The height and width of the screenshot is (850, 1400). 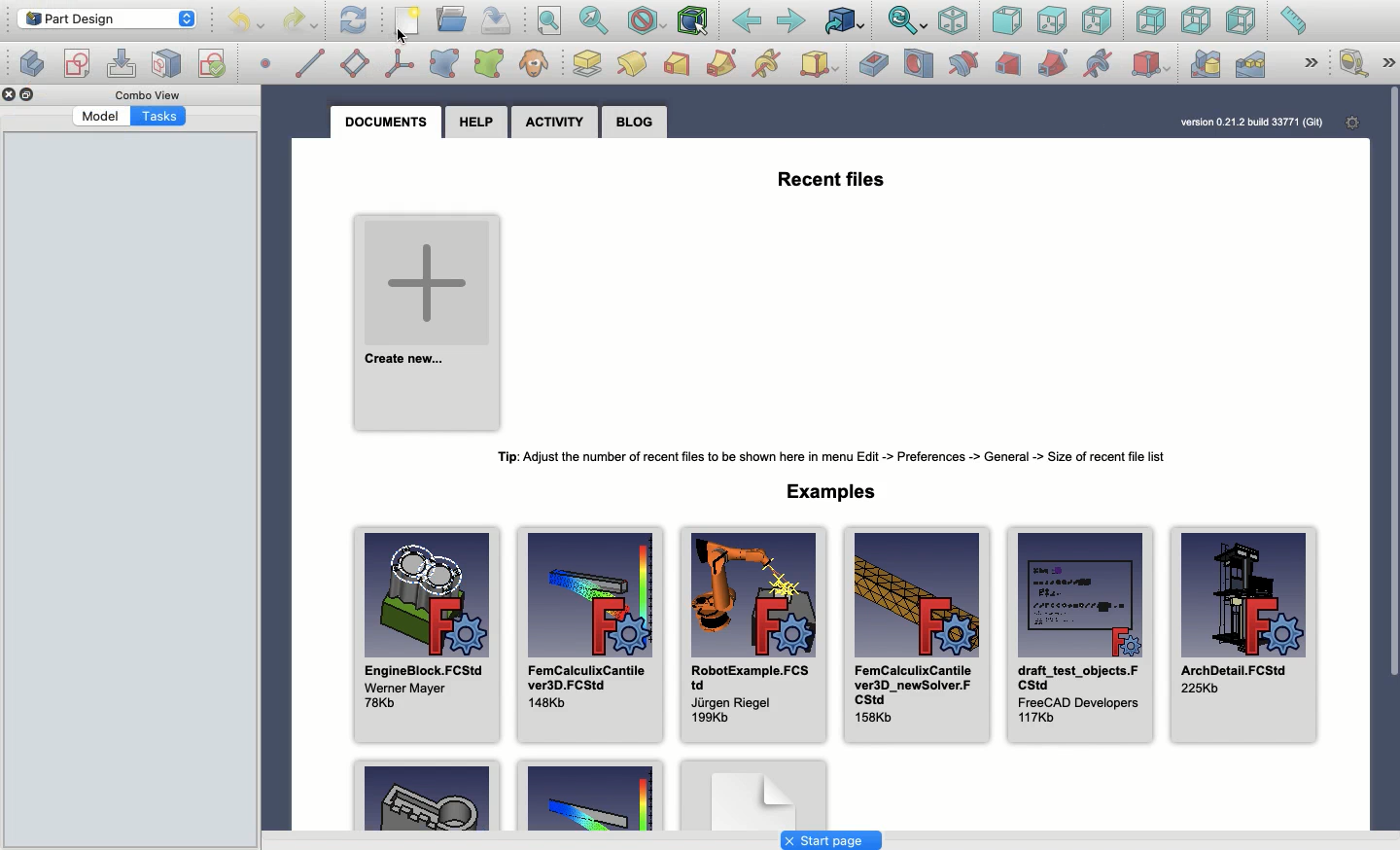 I want to click on Example 1, so click(x=424, y=795).